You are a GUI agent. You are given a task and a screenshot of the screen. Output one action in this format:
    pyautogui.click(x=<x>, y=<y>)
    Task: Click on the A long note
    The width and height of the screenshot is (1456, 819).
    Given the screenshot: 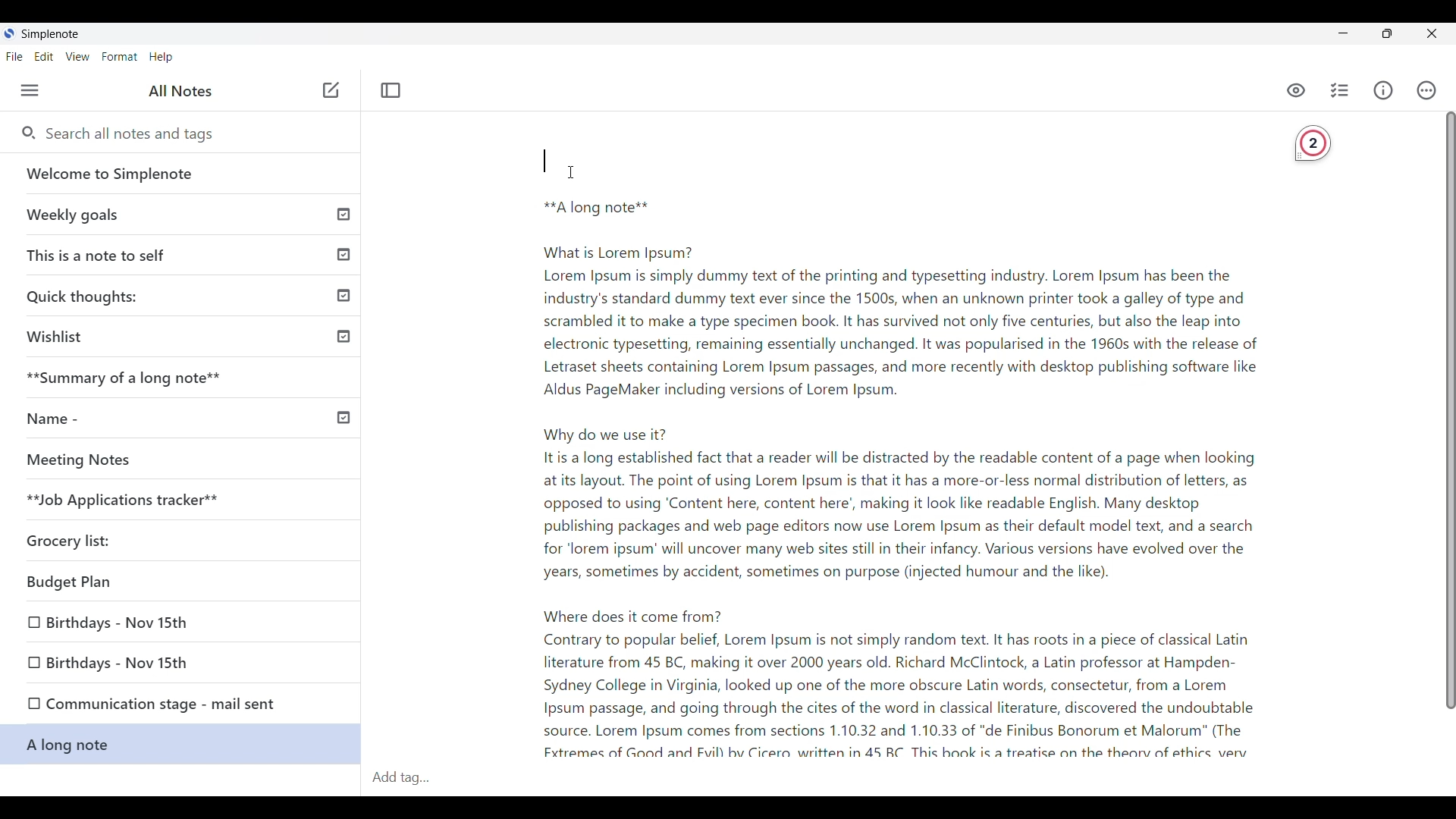 What is the action you would take?
    pyautogui.click(x=179, y=746)
    